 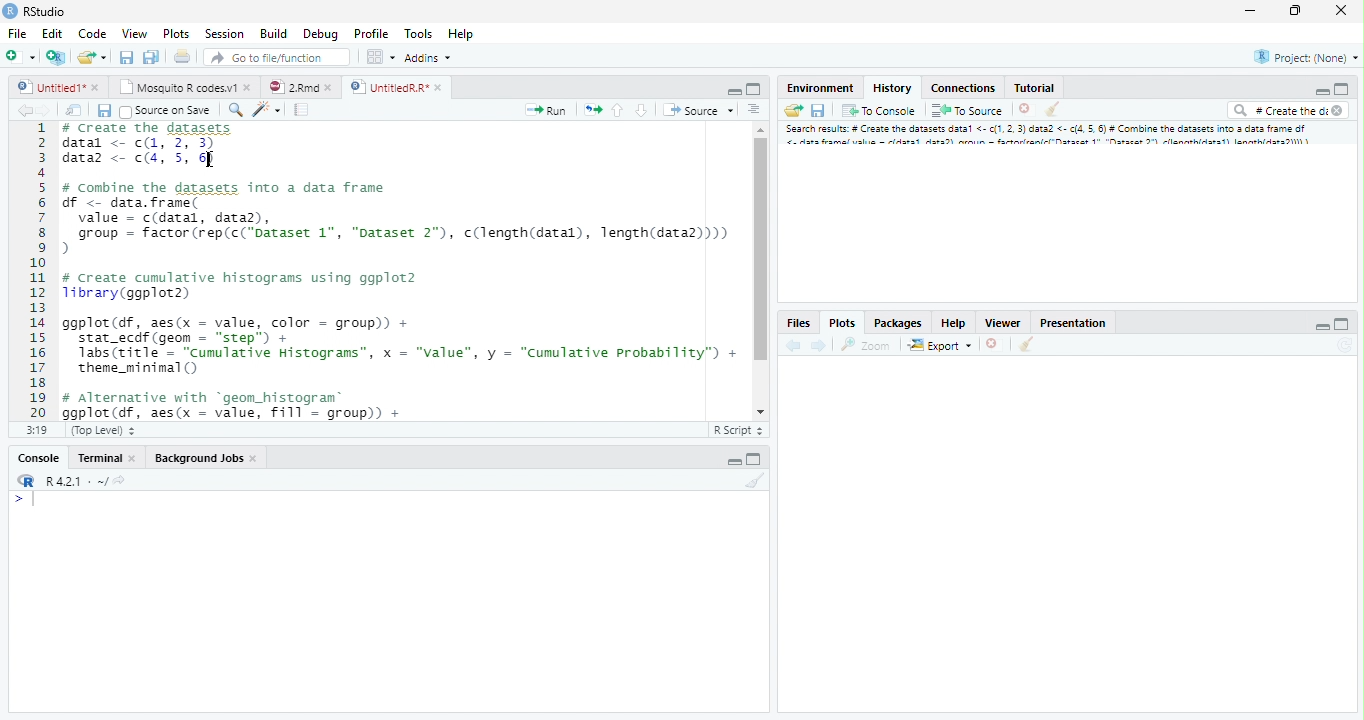 What do you see at coordinates (17, 113) in the screenshot?
I see `Back` at bounding box center [17, 113].